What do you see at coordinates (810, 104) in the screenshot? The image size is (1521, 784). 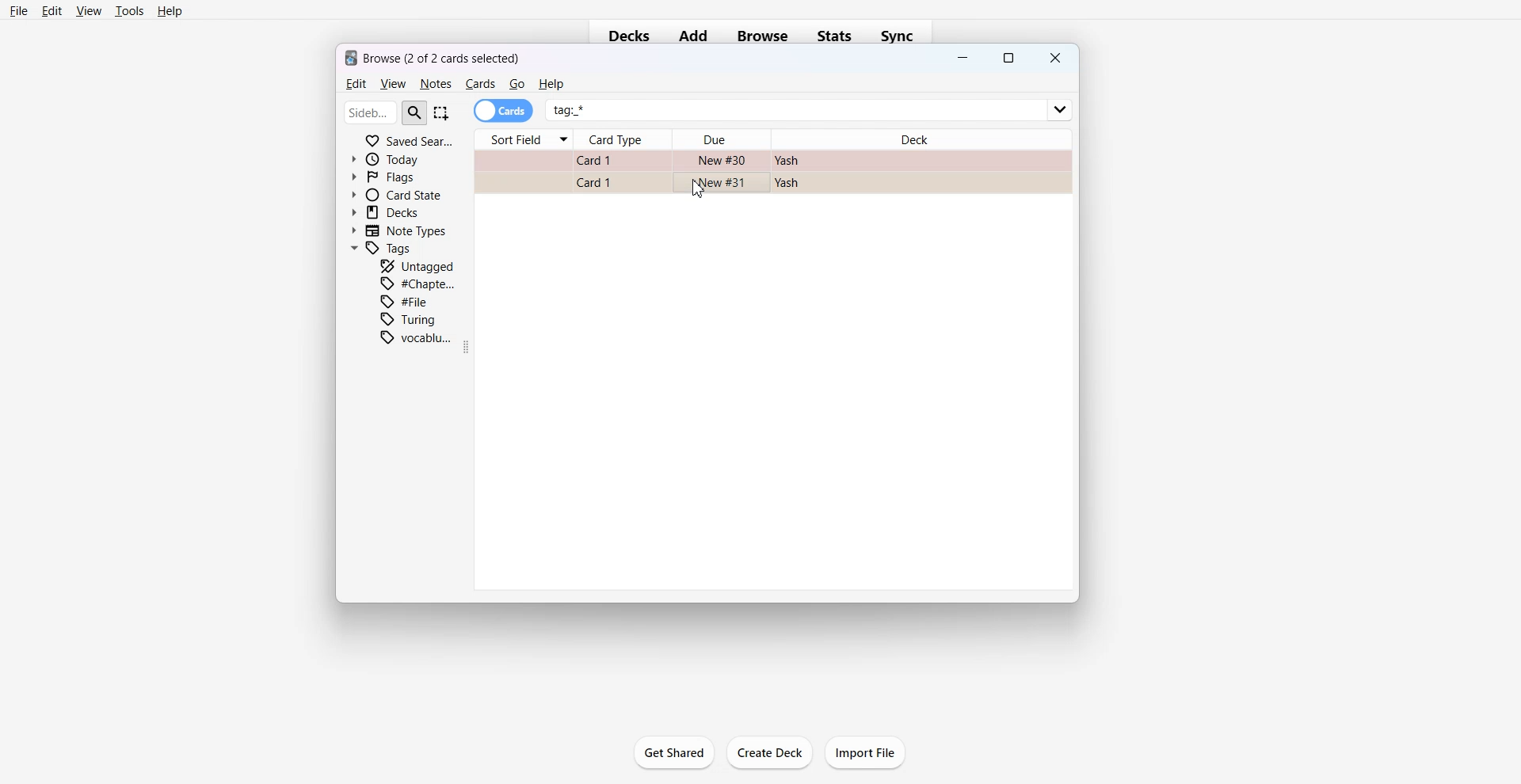 I see `tag *` at bounding box center [810, 104].